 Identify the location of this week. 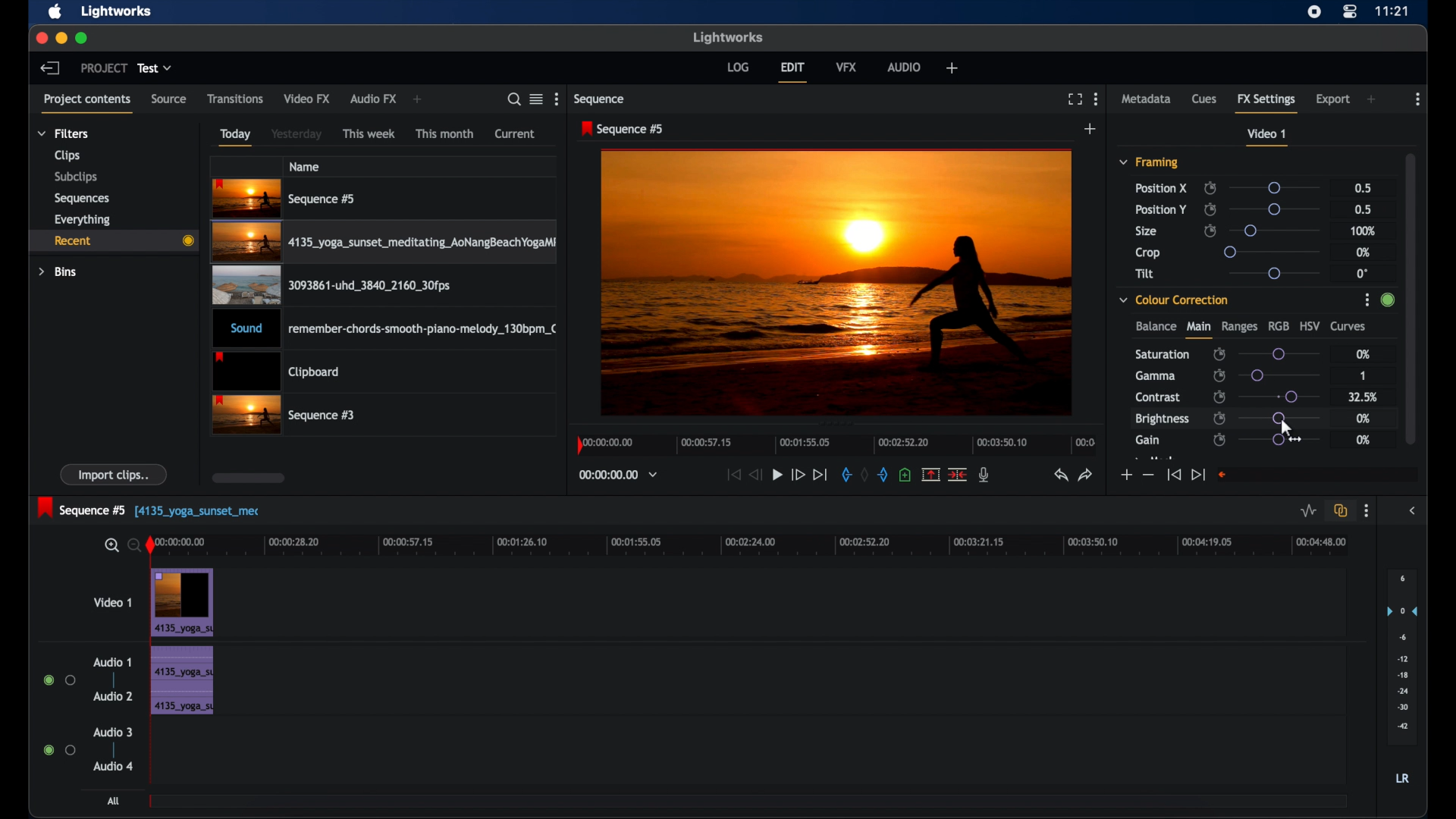
(369, 134).